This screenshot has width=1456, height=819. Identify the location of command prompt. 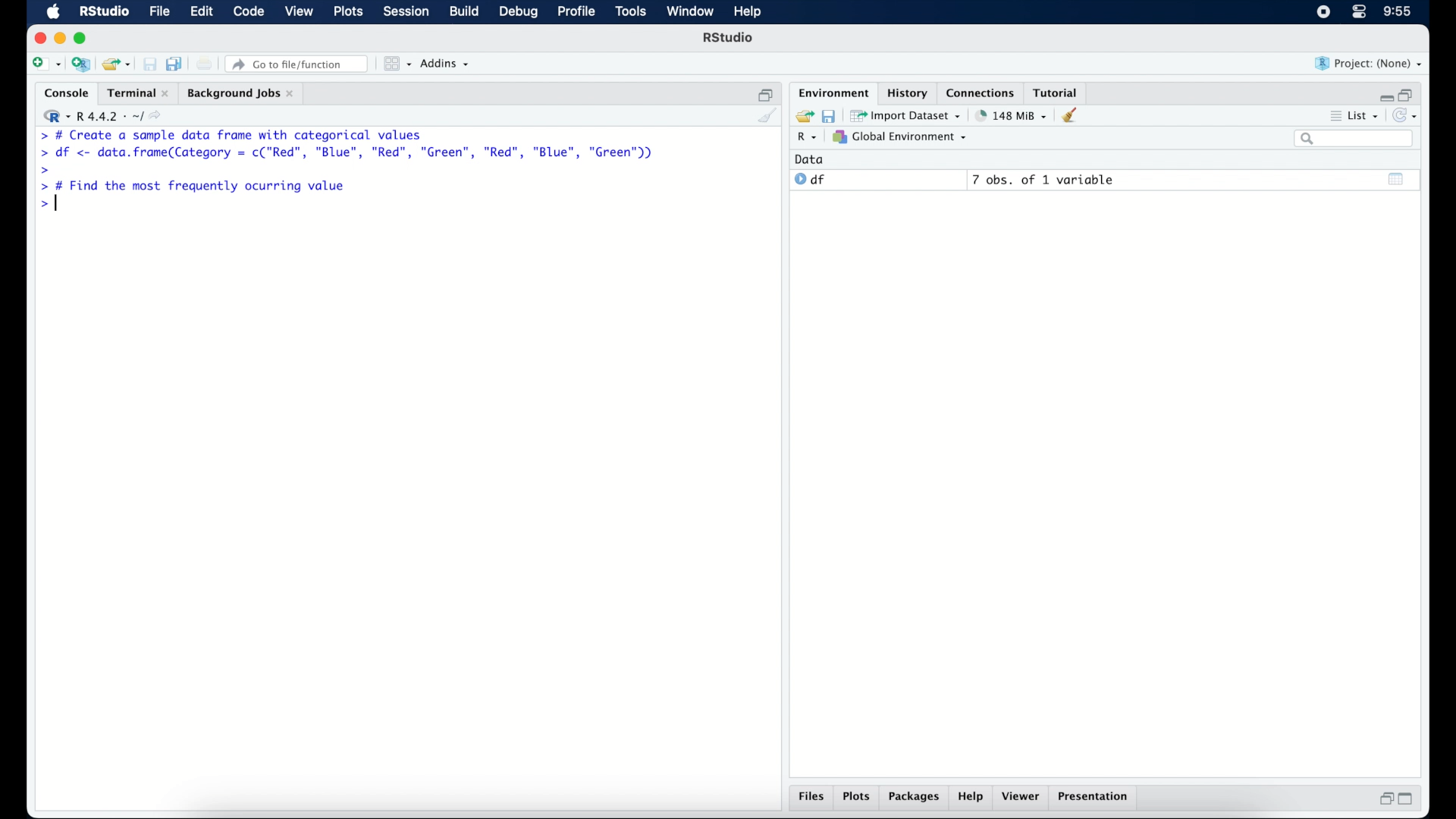
(49, 205).